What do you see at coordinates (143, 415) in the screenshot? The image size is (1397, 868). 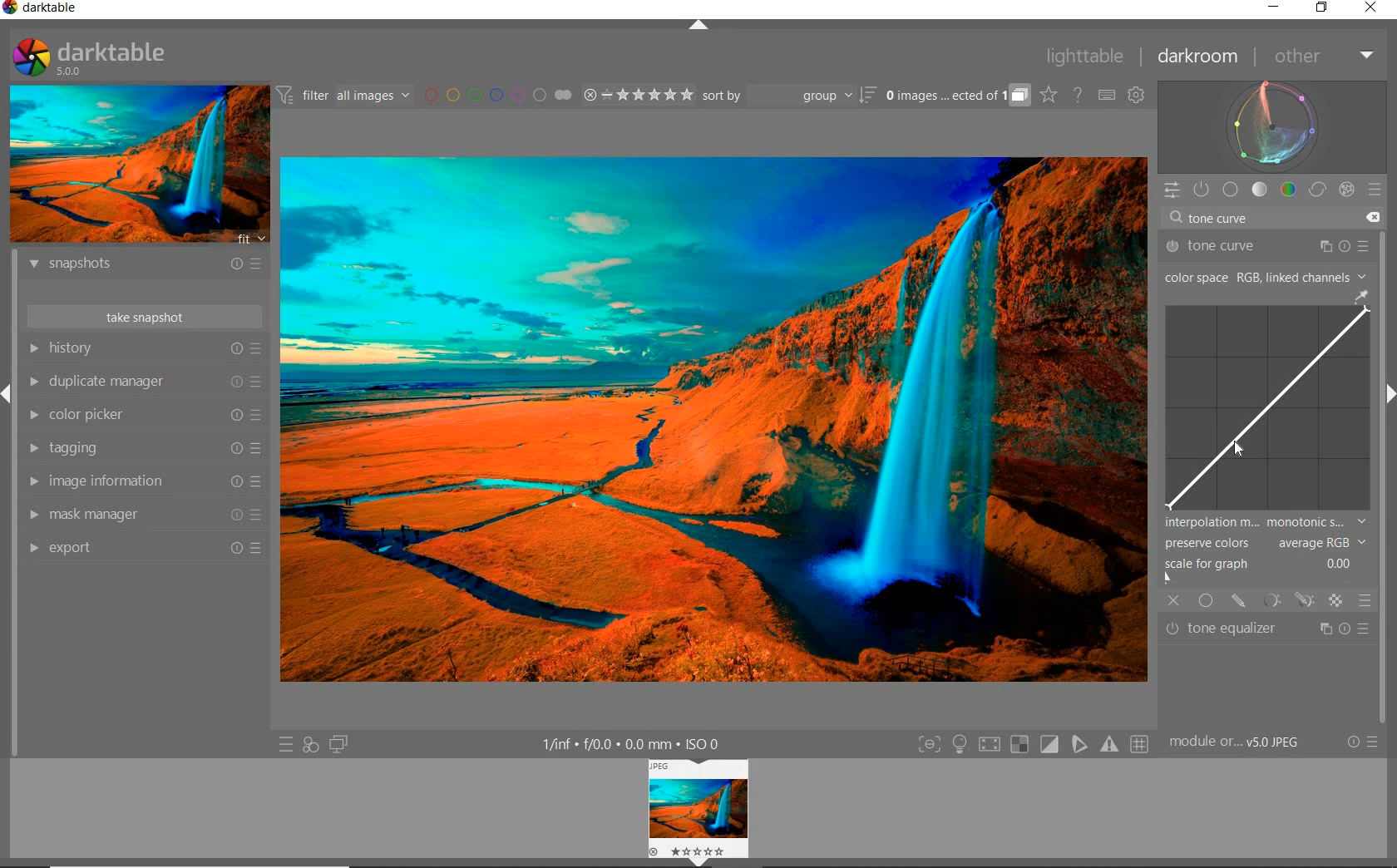 I see `color picker` at bounding box center [143, 415].